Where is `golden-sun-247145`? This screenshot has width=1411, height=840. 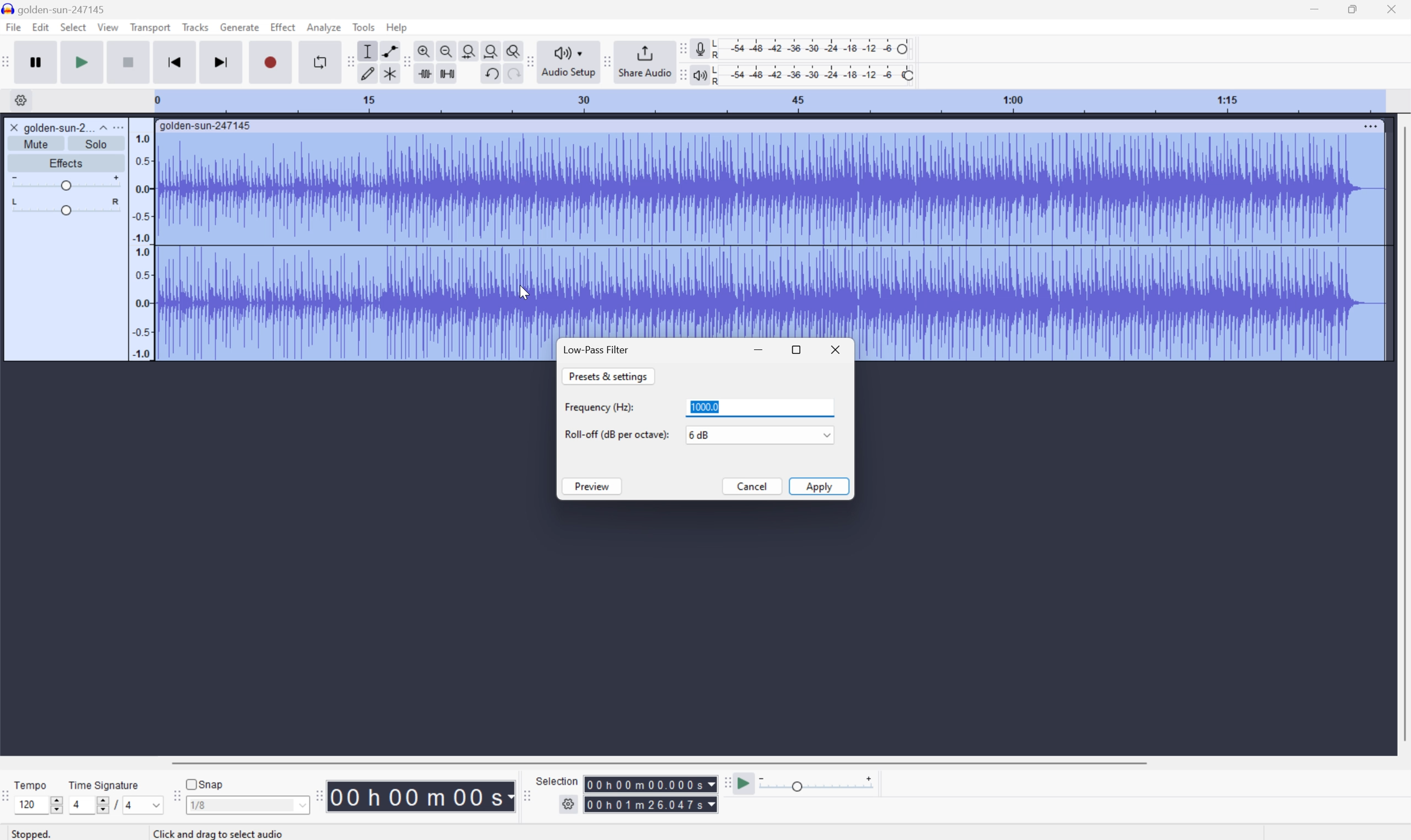 golden-sun-247145 is located at coordinates (207, 126).